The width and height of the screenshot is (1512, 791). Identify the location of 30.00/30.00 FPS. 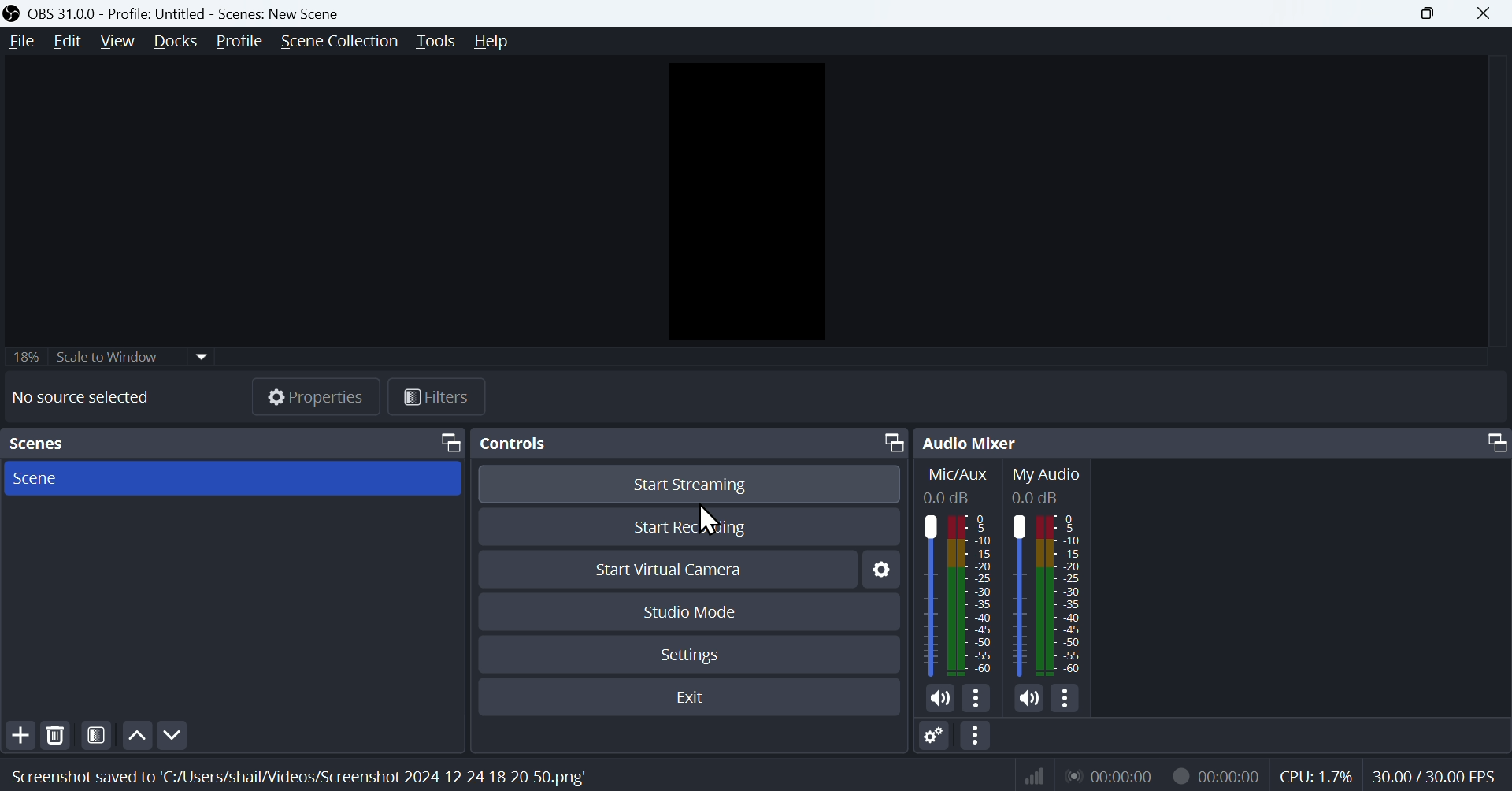
(1439, 776).